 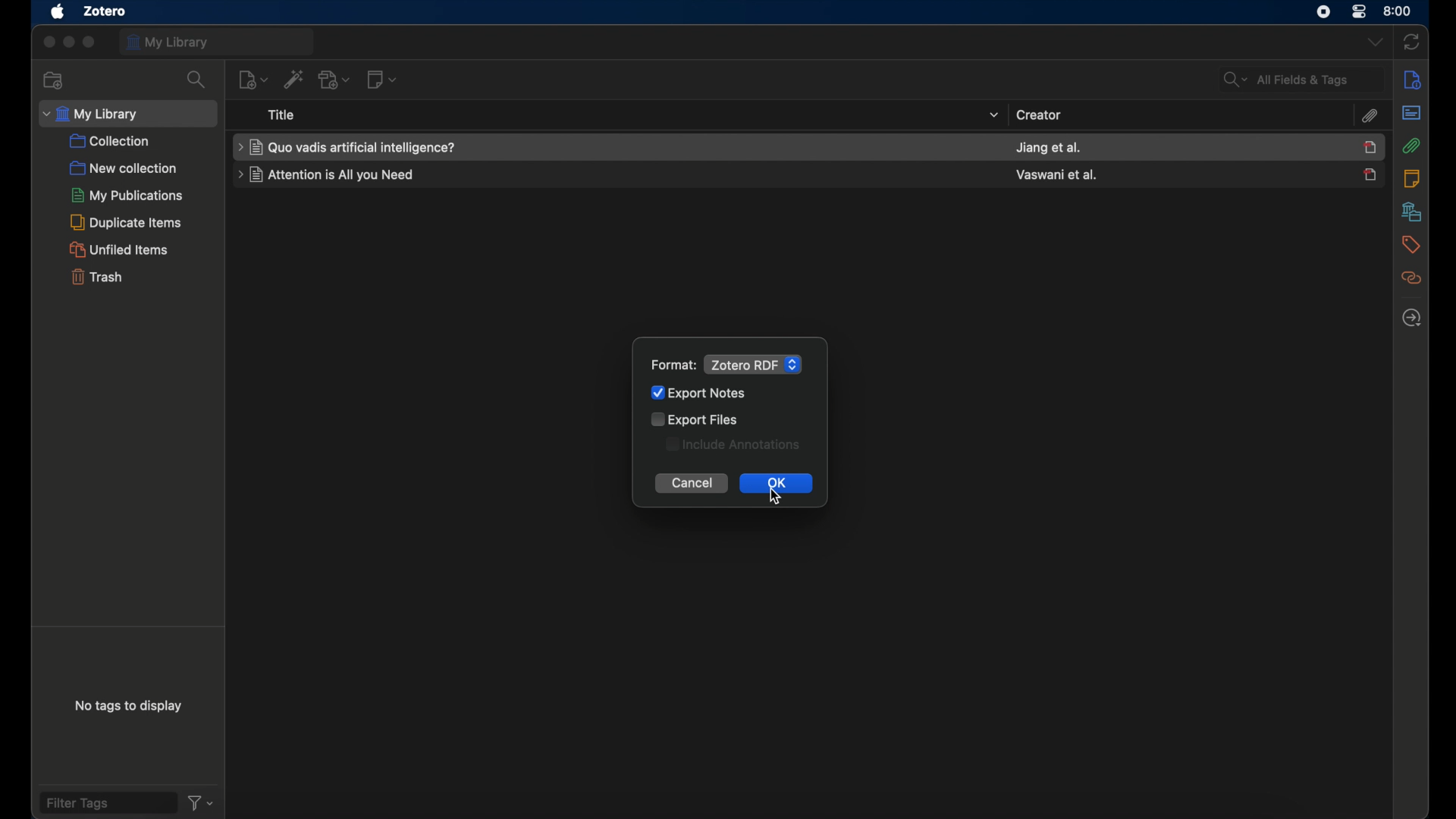 I want to click on time, so click(x=1398, y=11).